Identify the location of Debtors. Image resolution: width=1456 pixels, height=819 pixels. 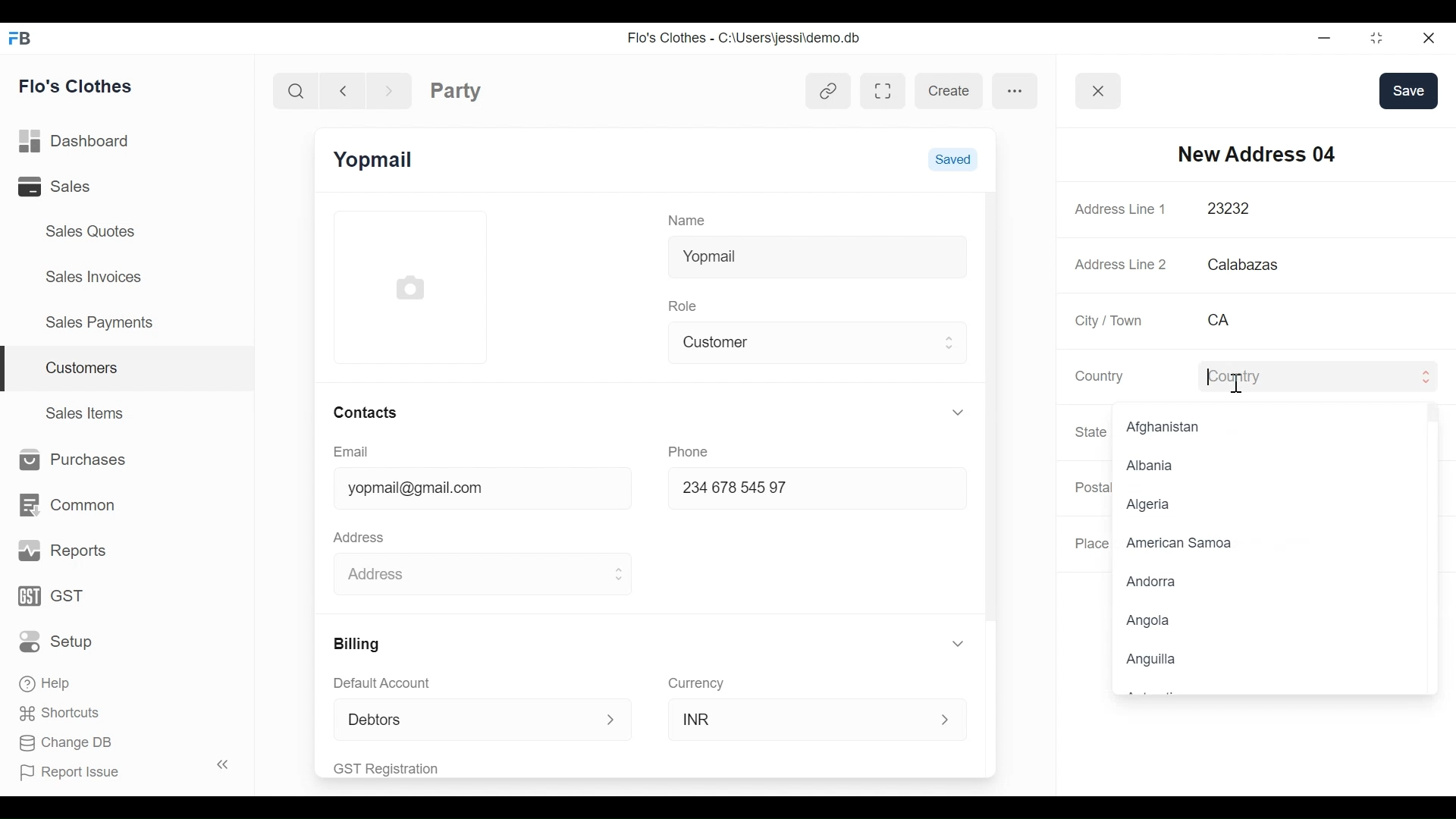
(458, 719).